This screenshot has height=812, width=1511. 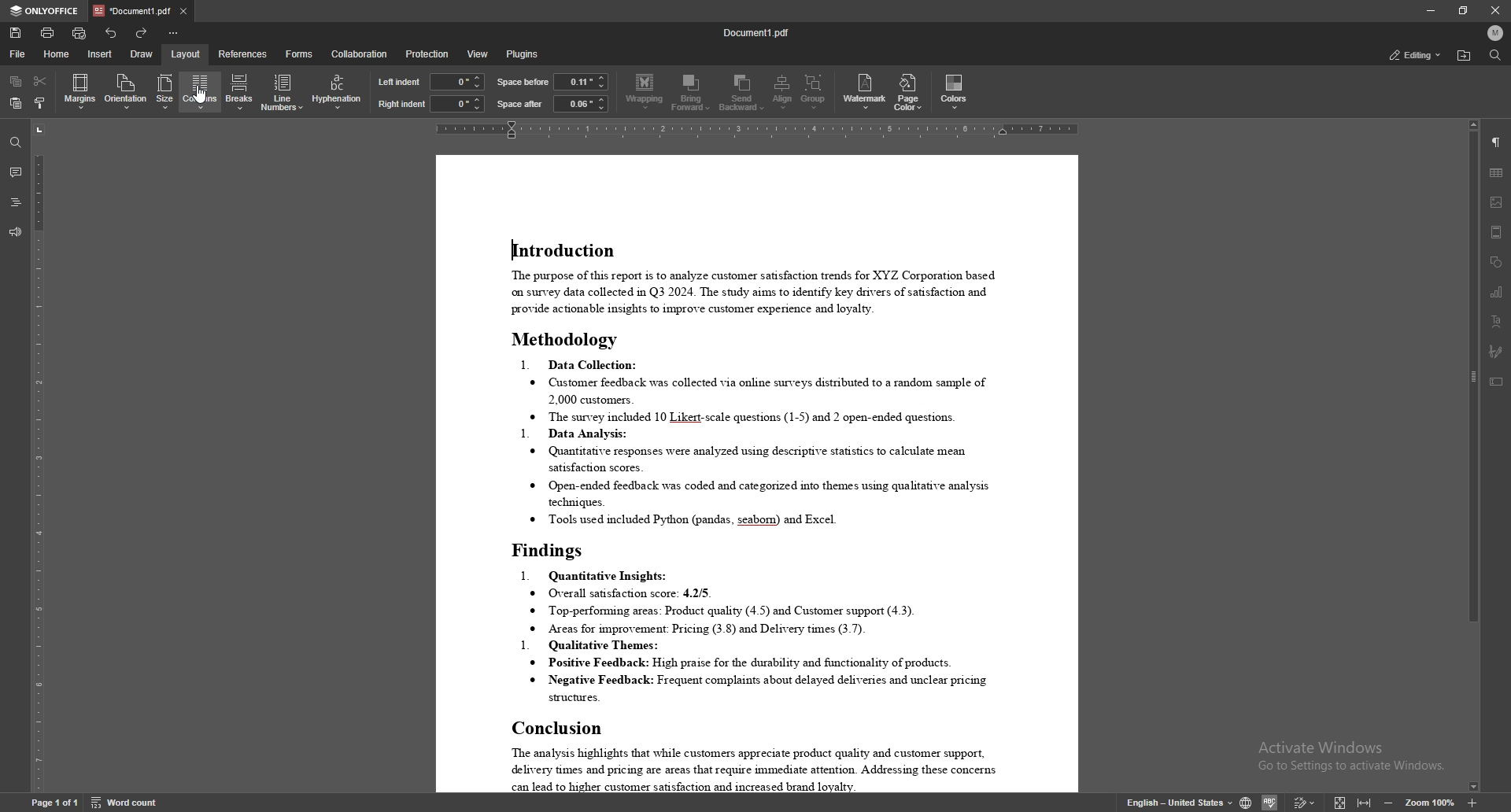 I want to click on breaks, so click(x=241, y=91).